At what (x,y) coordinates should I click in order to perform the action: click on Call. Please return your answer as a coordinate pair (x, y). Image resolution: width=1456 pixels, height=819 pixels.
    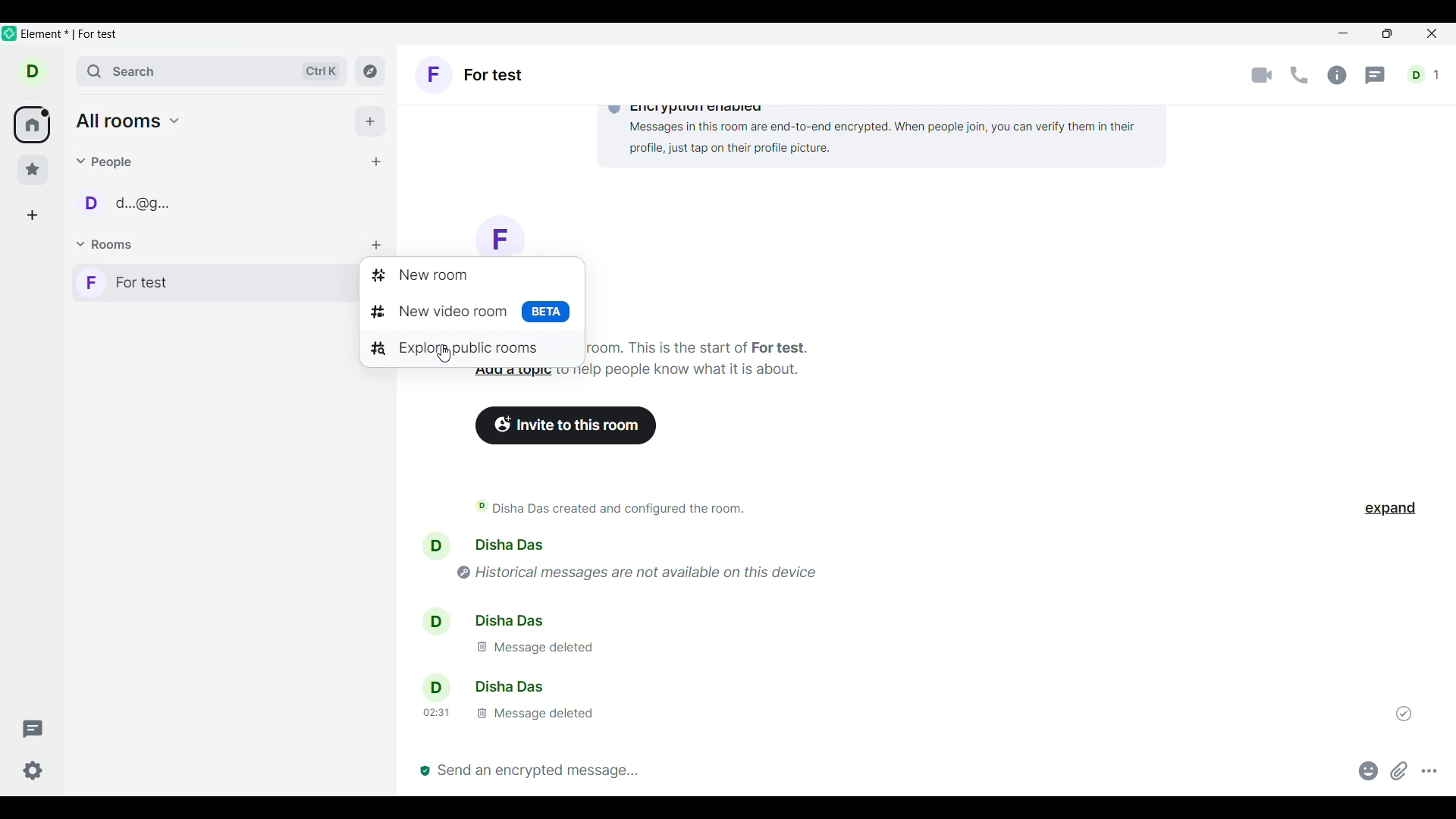
    Looking at the image, I should click on (1300, 75).